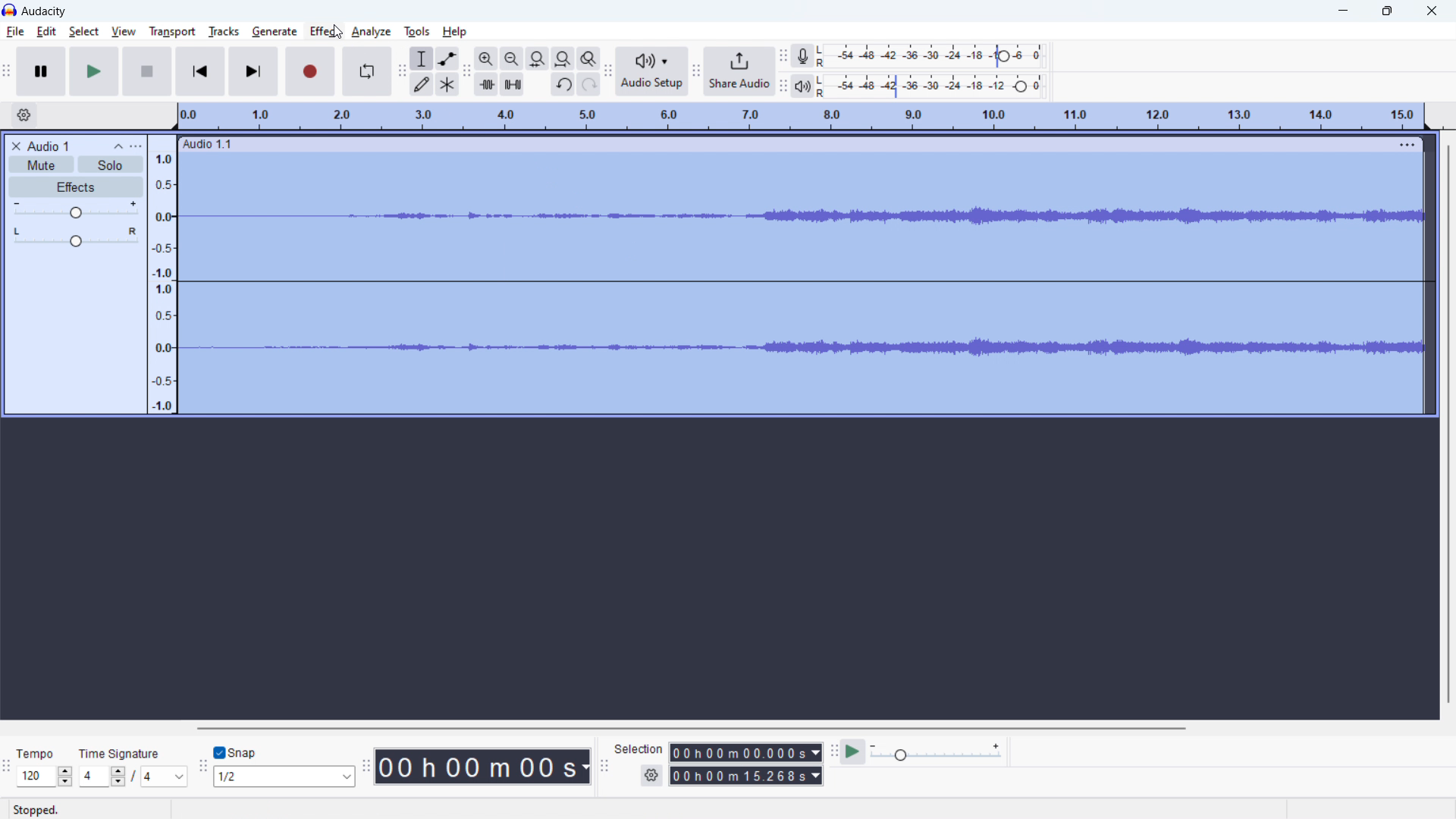 The width and height of the screenshot is (1456, 819). I want to click on playback level, so click(936, 86).